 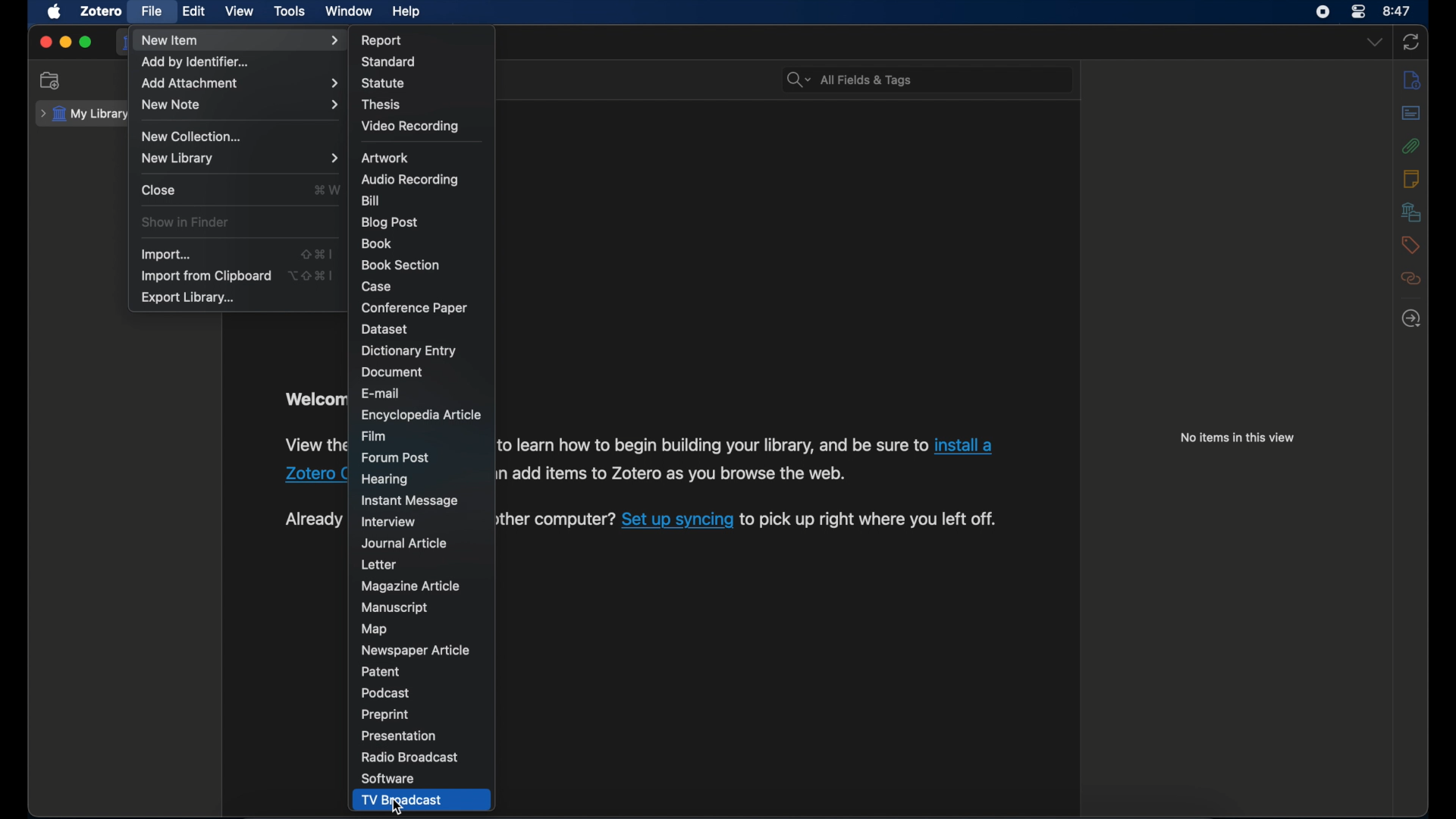 What do you see at coordinates (390, 222) in the screenshot?
I see `blog post` at bounding box center [390, 222].